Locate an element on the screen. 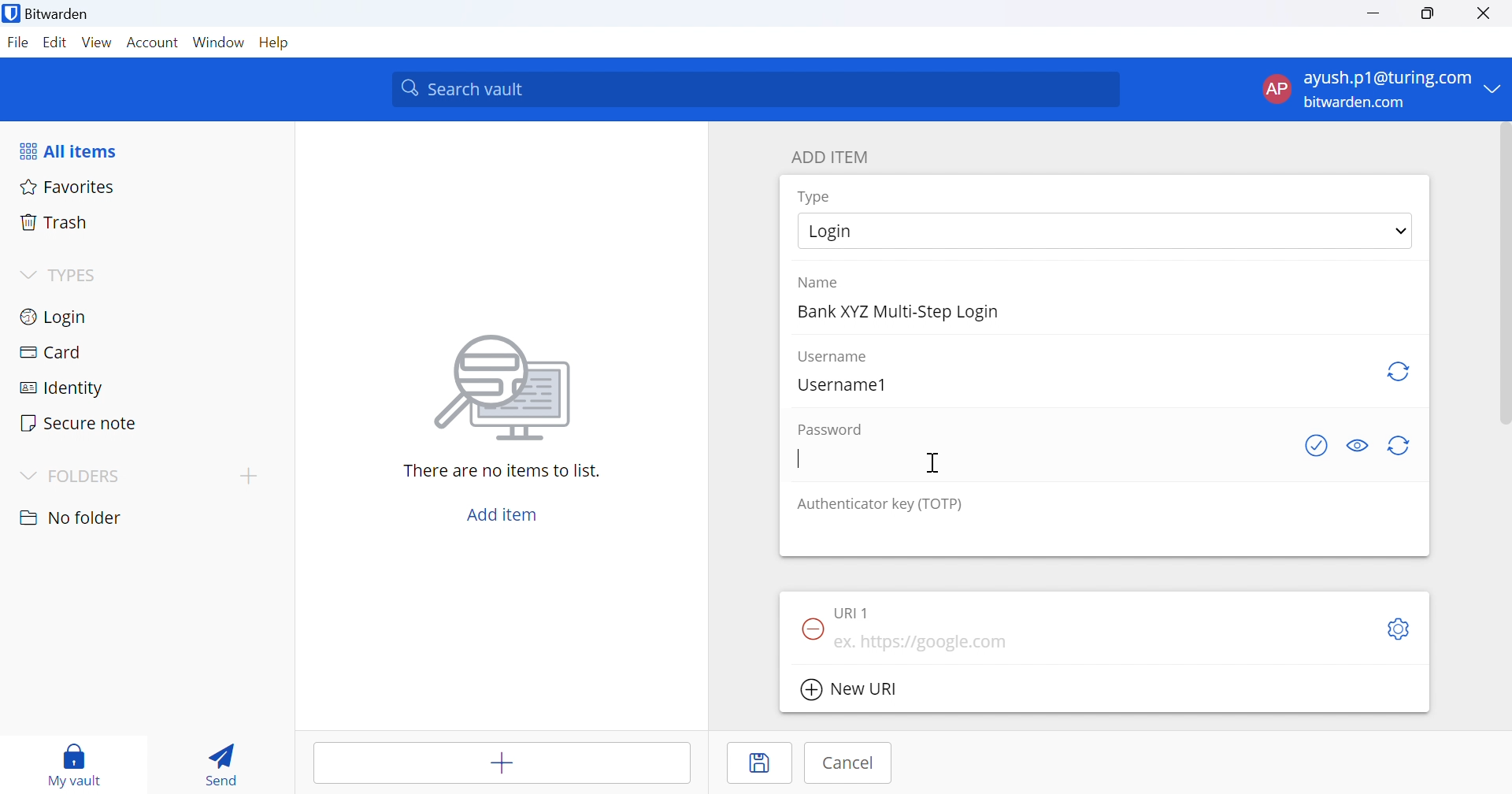 The image size is (1512, 794). Drop Down is located at coordinates (1497, 90).